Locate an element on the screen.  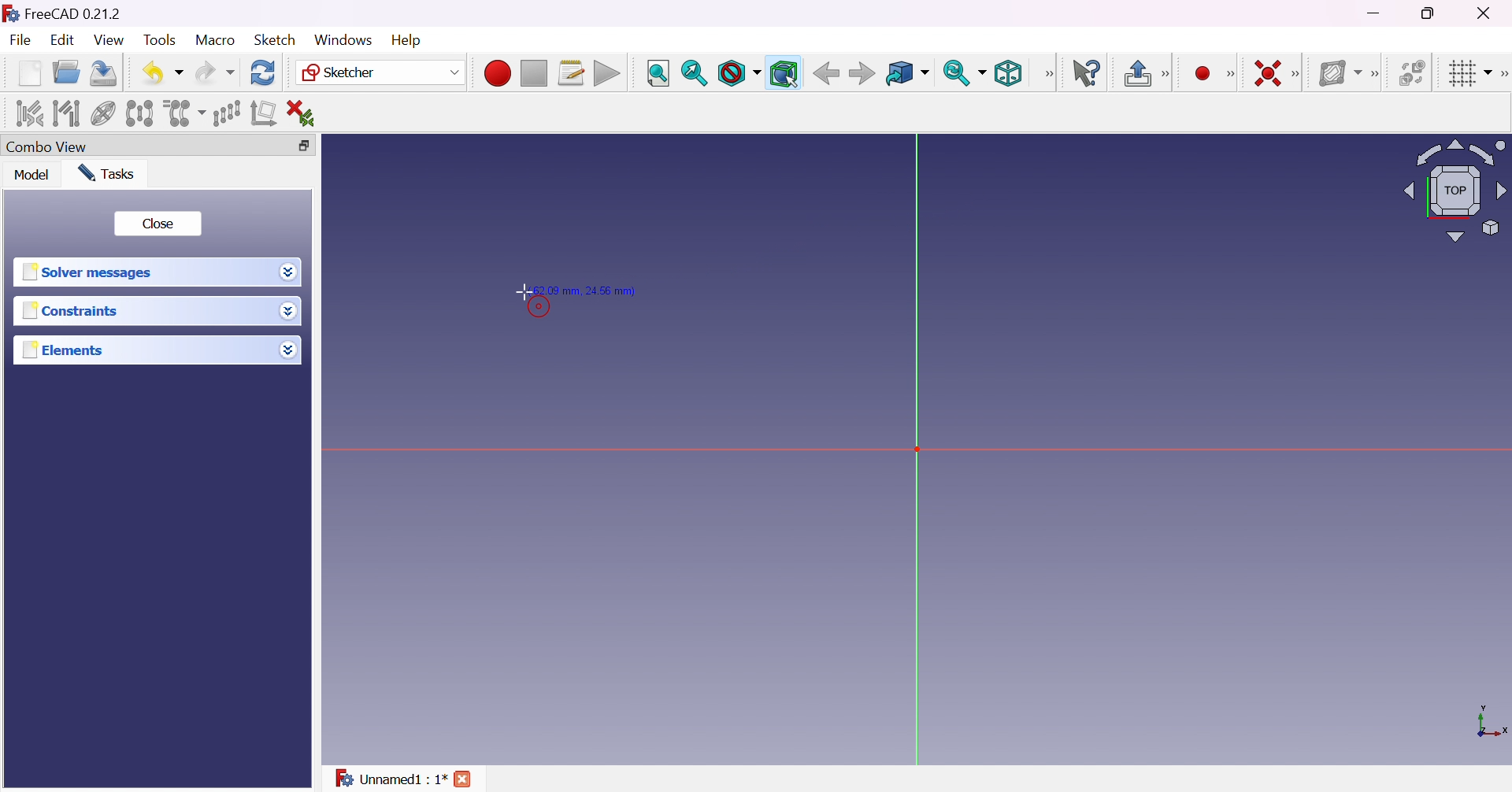
Tools is located at coordinates (161, 40).